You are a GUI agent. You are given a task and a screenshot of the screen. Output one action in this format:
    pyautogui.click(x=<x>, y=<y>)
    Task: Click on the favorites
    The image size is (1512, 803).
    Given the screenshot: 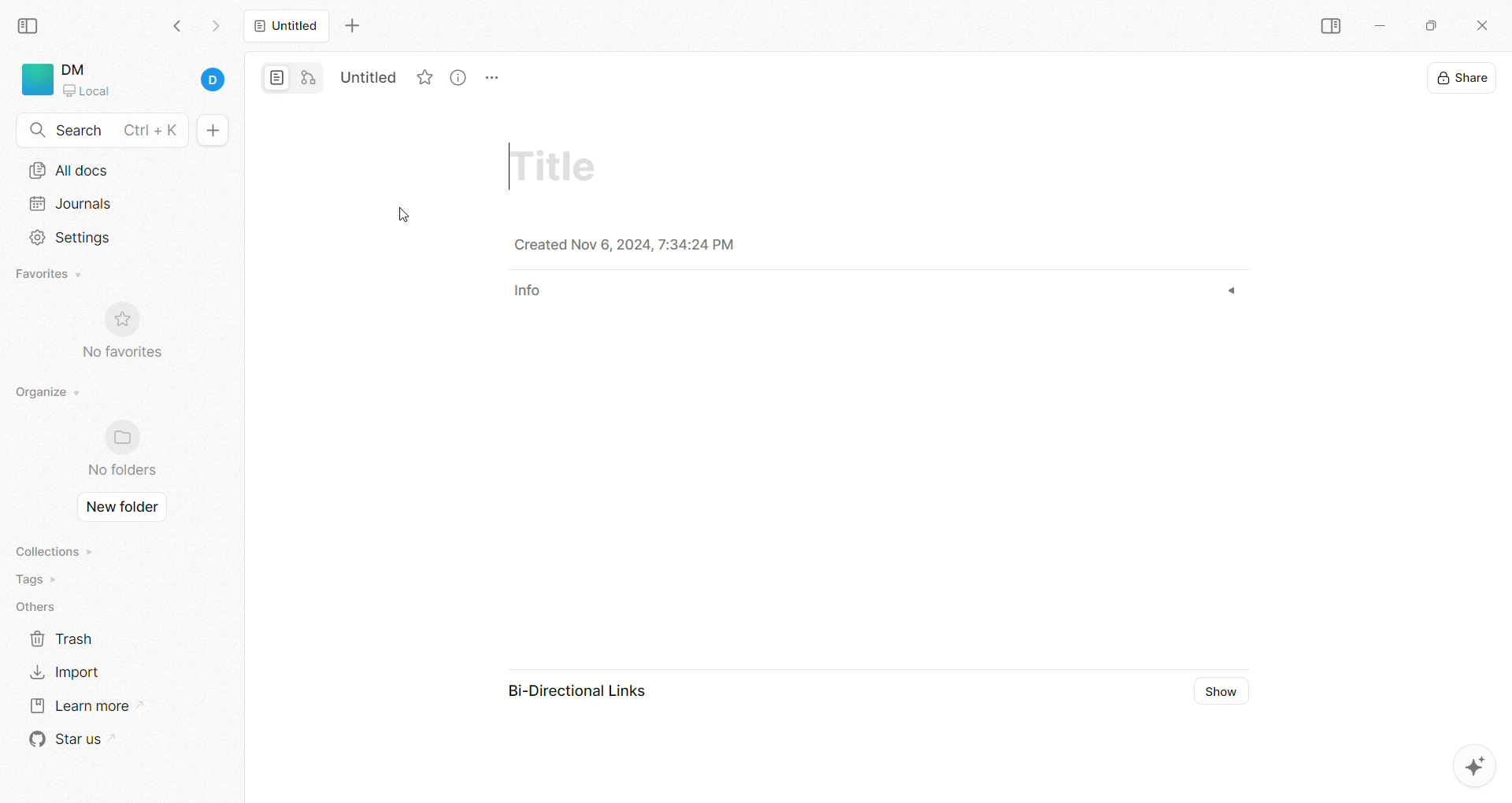 What is the action you would take?
    pyautogui.click(x=426, y=75)
    